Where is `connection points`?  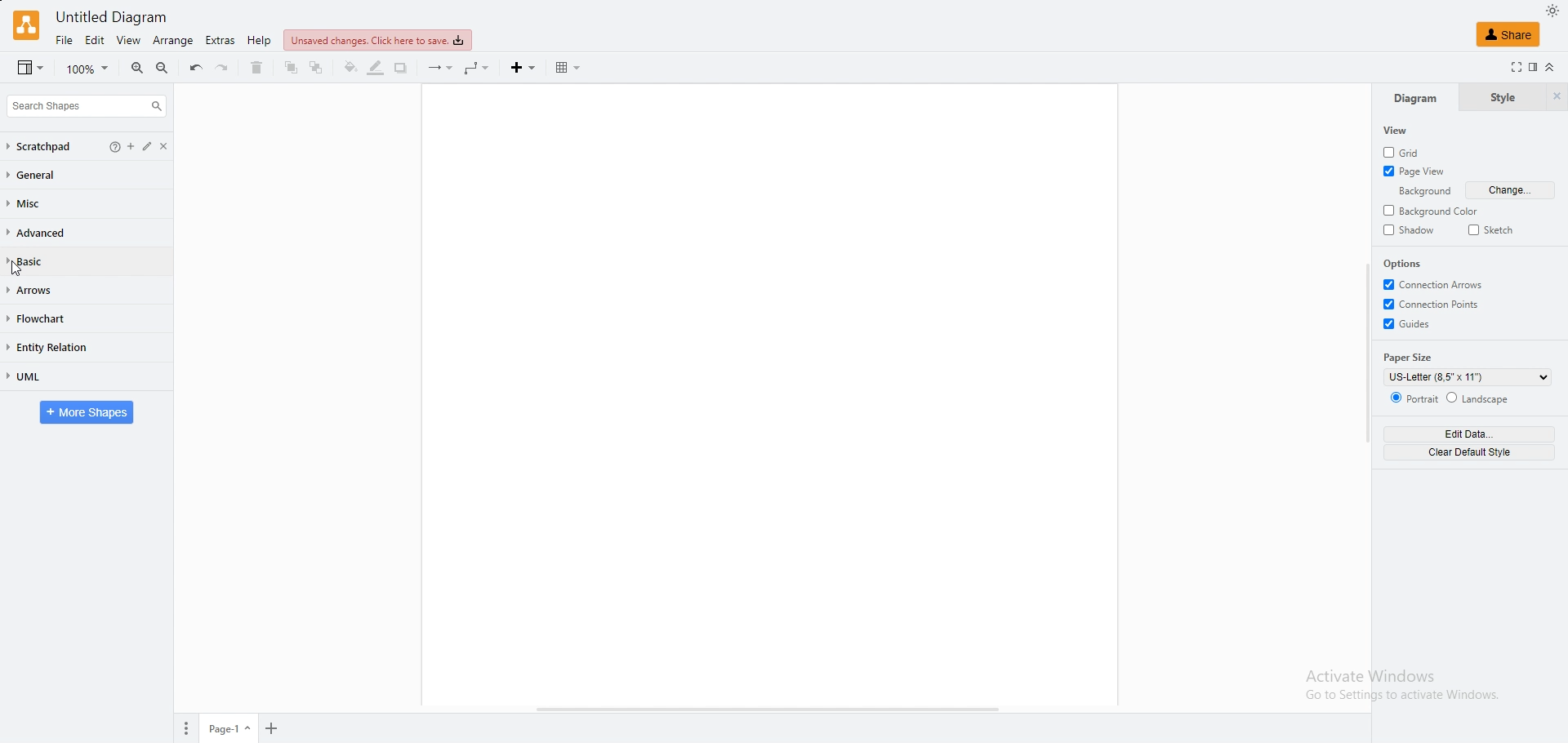 connection points is located at coordinates (1434, 304).